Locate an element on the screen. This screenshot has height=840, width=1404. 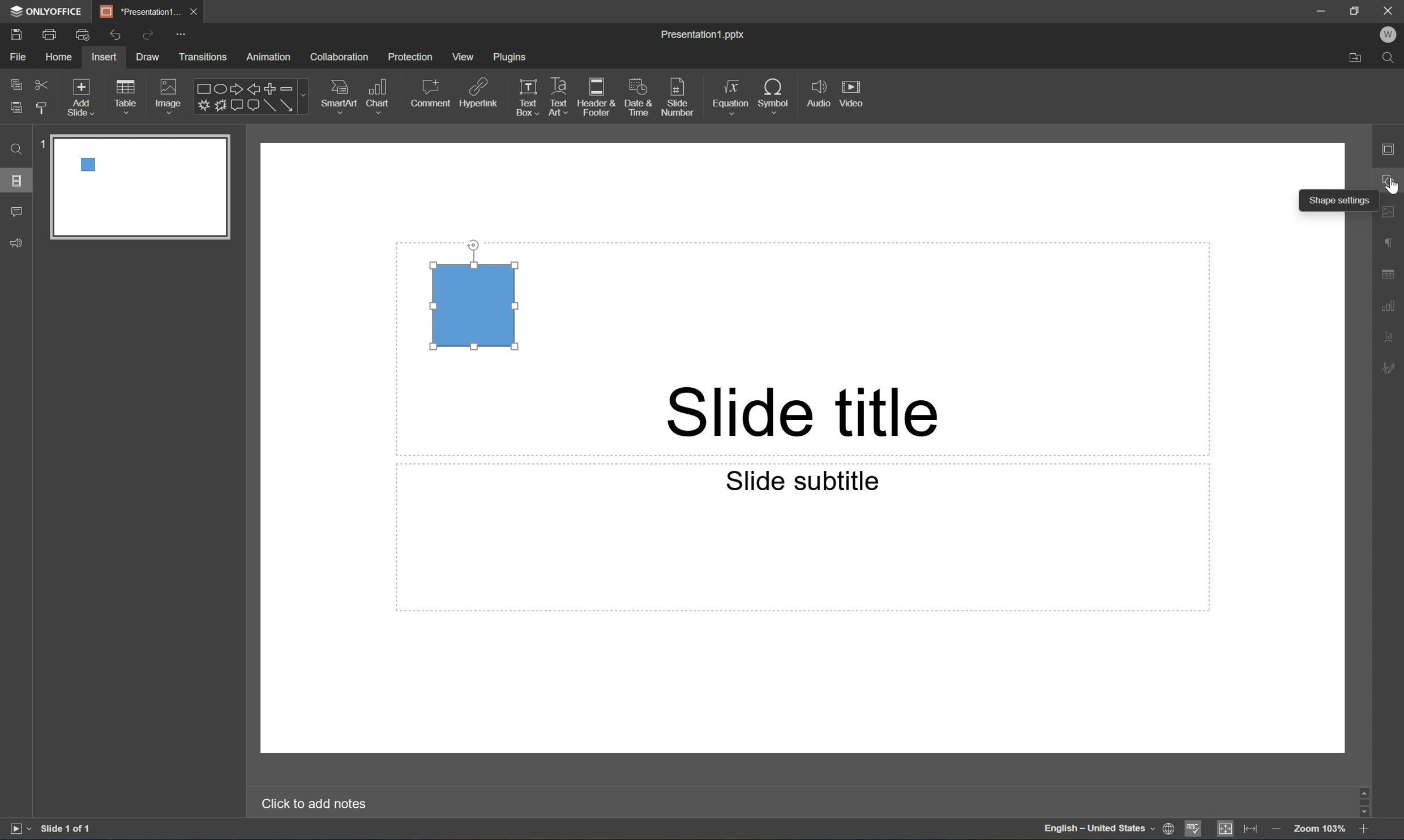
Zoom out is located at coordinates (1273, 827).